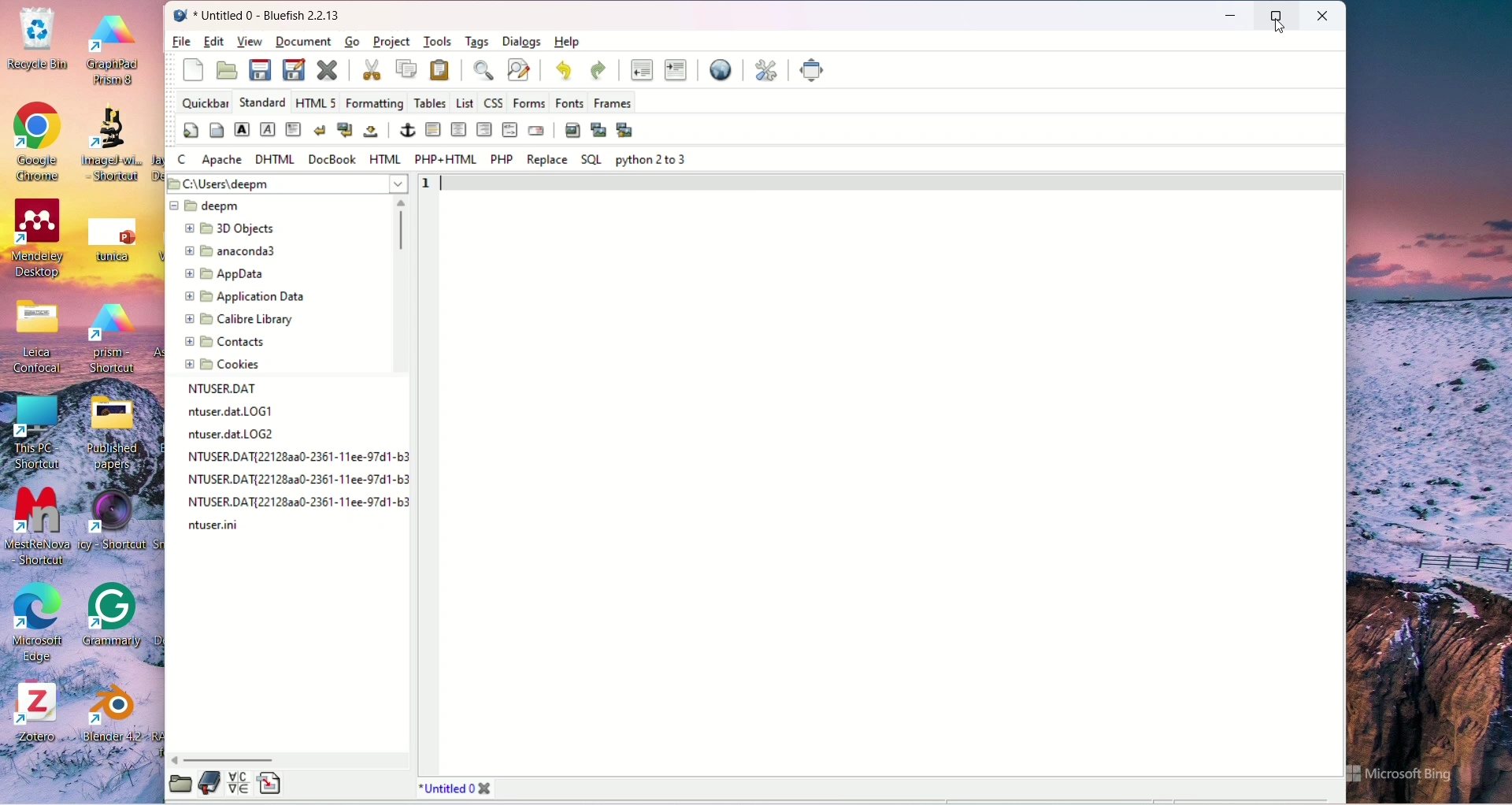  What do you see at coordinates (598, 128) in the screenshot?
I see `insert thumbnail` at bounding box center [598, 128].